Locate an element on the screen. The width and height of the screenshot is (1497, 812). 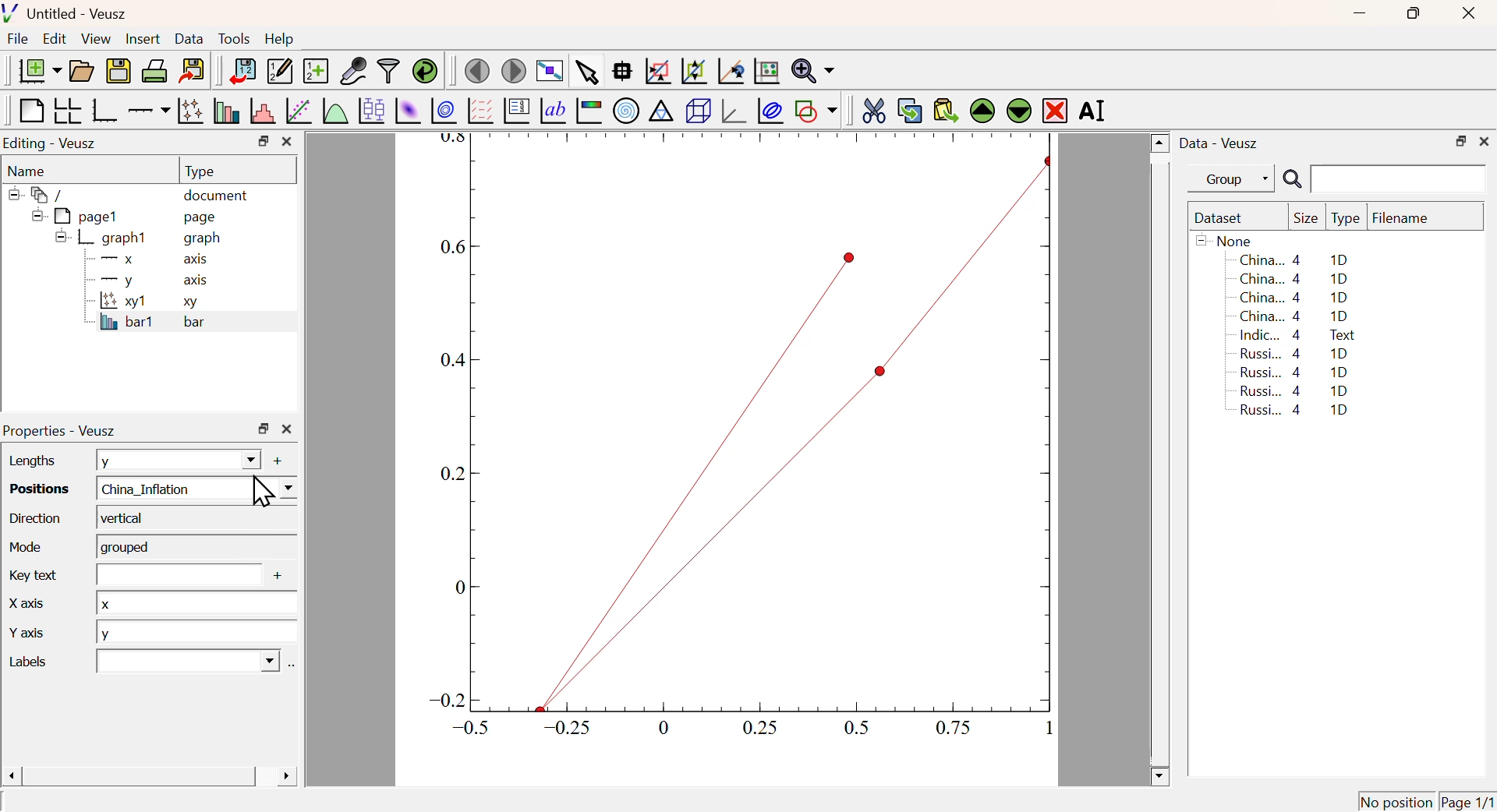
Direction is located at coordinates (35, 517).